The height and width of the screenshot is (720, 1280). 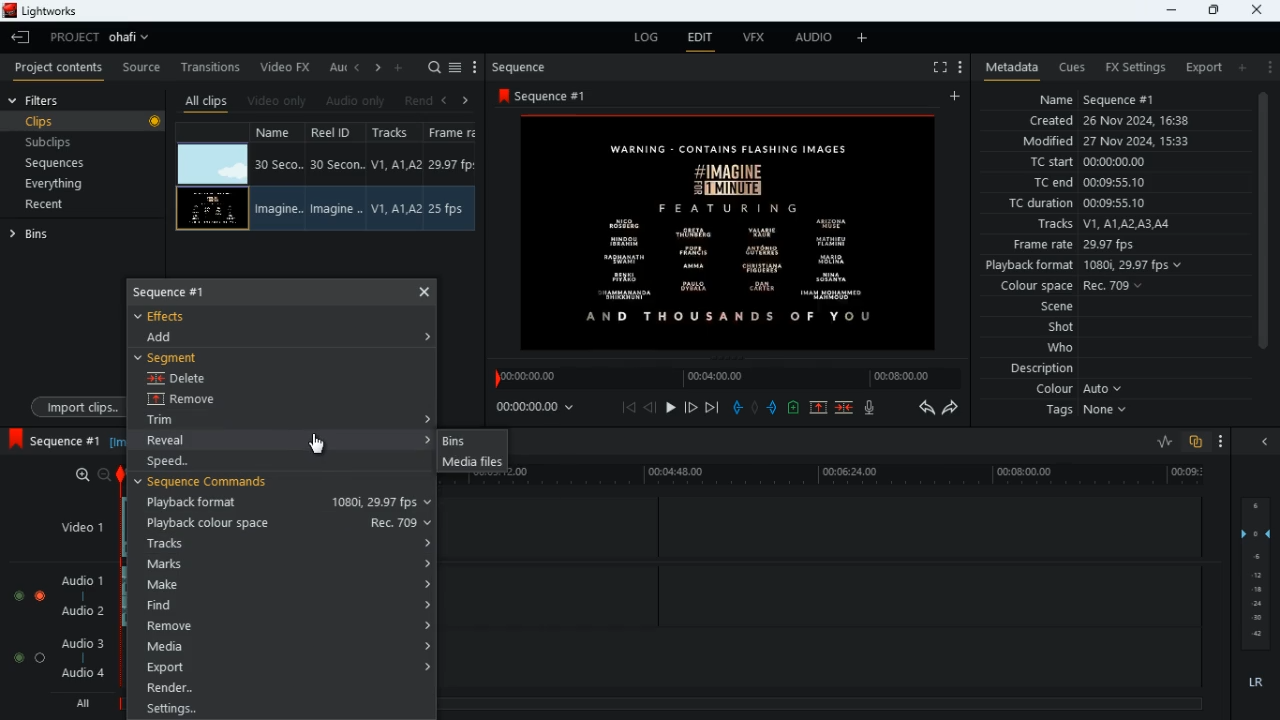 What do you see at coordinates (70, 163) in the screenshot?
I see `sequences` at bounding box center [70, 163].